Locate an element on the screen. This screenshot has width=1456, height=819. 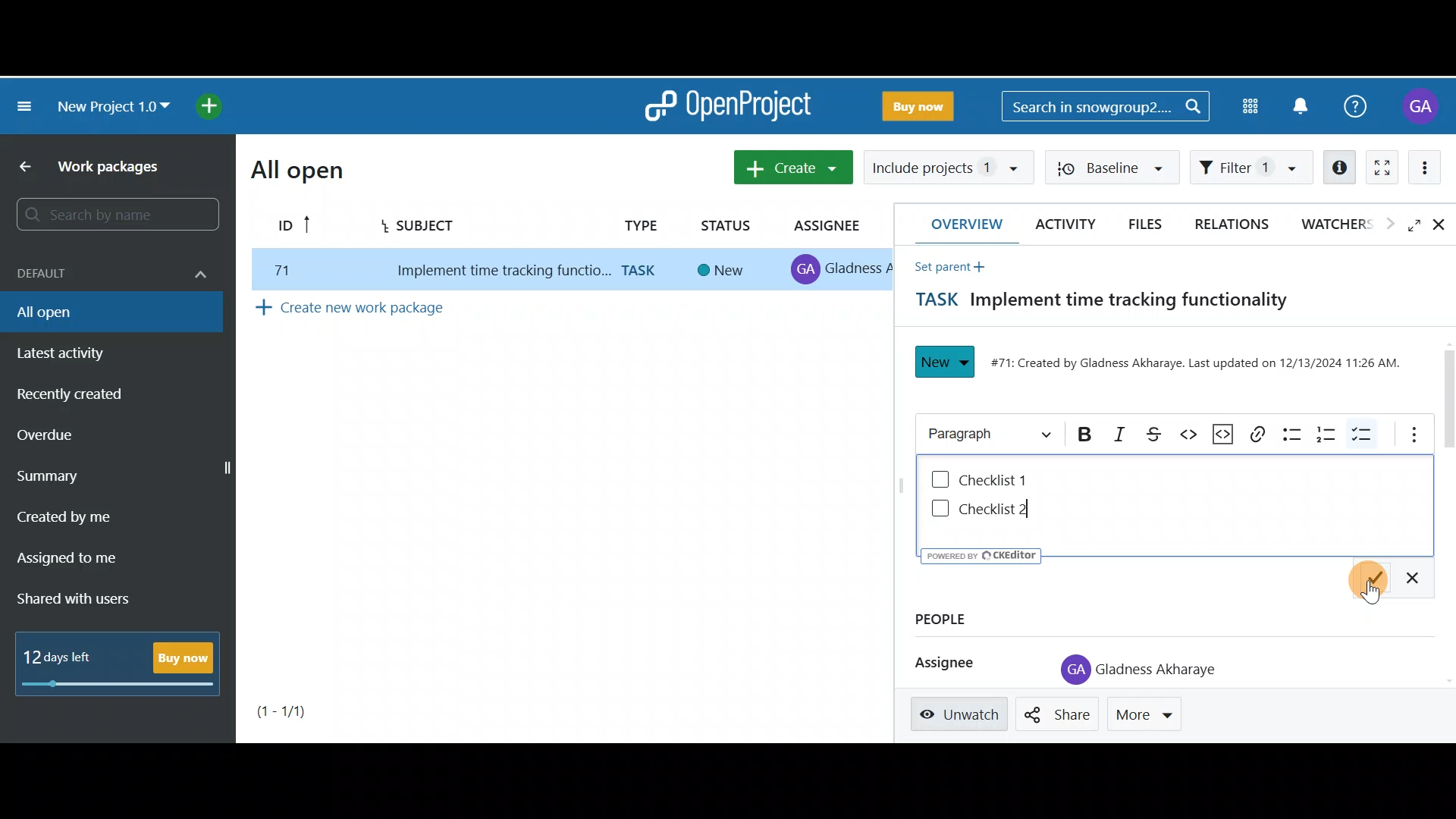
Watchers is located at coordinates (1335, 227).